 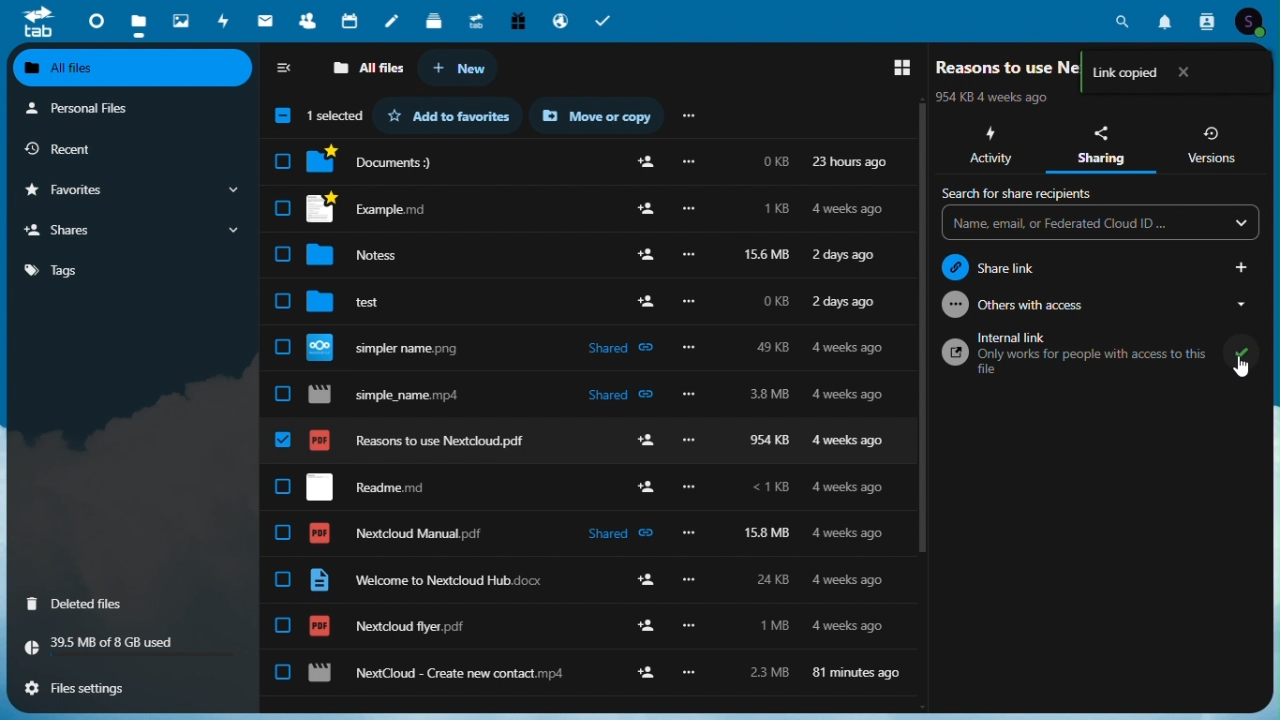 I want to click on shared, so click(x=613, y=534).